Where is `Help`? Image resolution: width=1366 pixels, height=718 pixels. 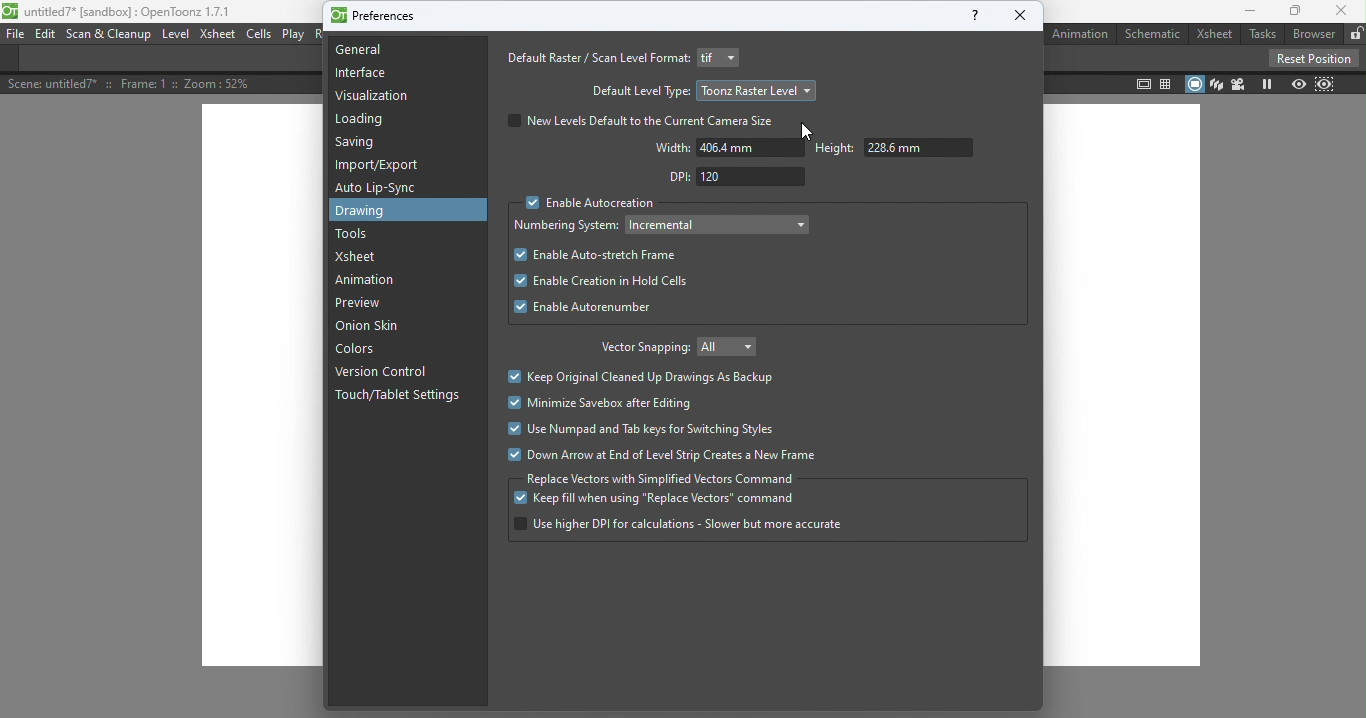 Help is located at coordinates (968, 19).